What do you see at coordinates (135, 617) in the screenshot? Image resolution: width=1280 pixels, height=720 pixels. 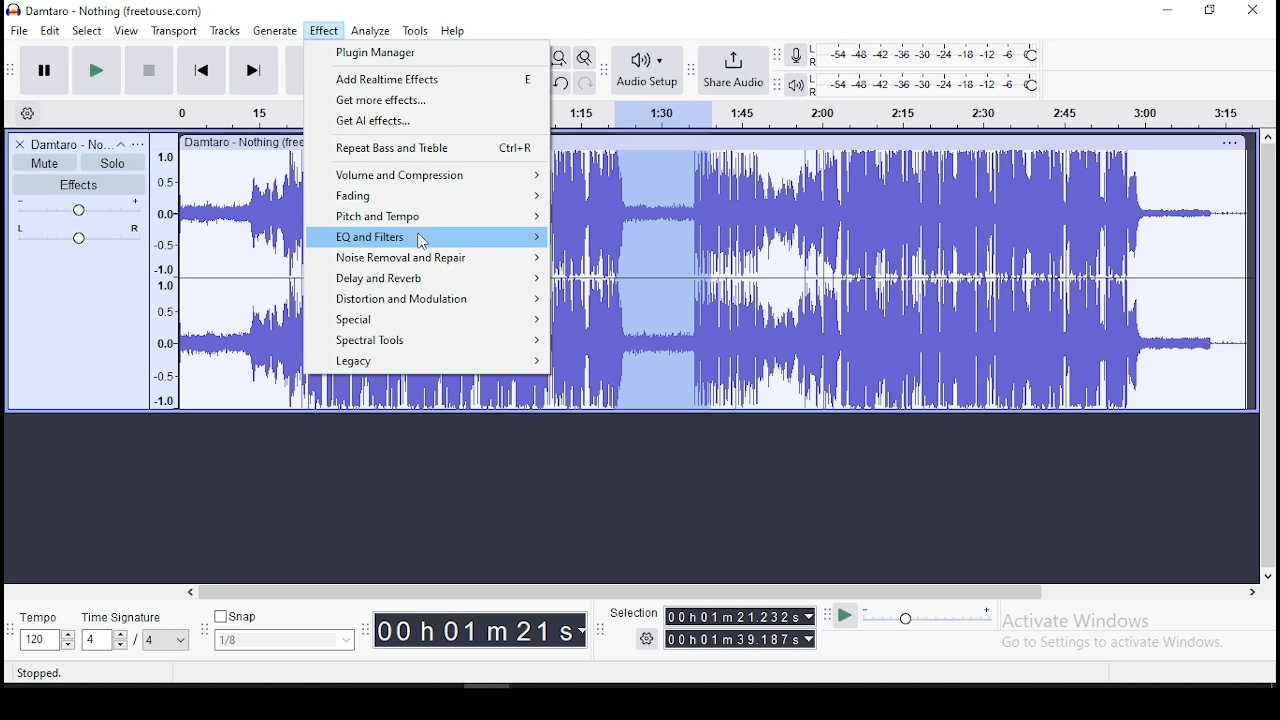 I see `time signature` at bounding box center [135, 617].